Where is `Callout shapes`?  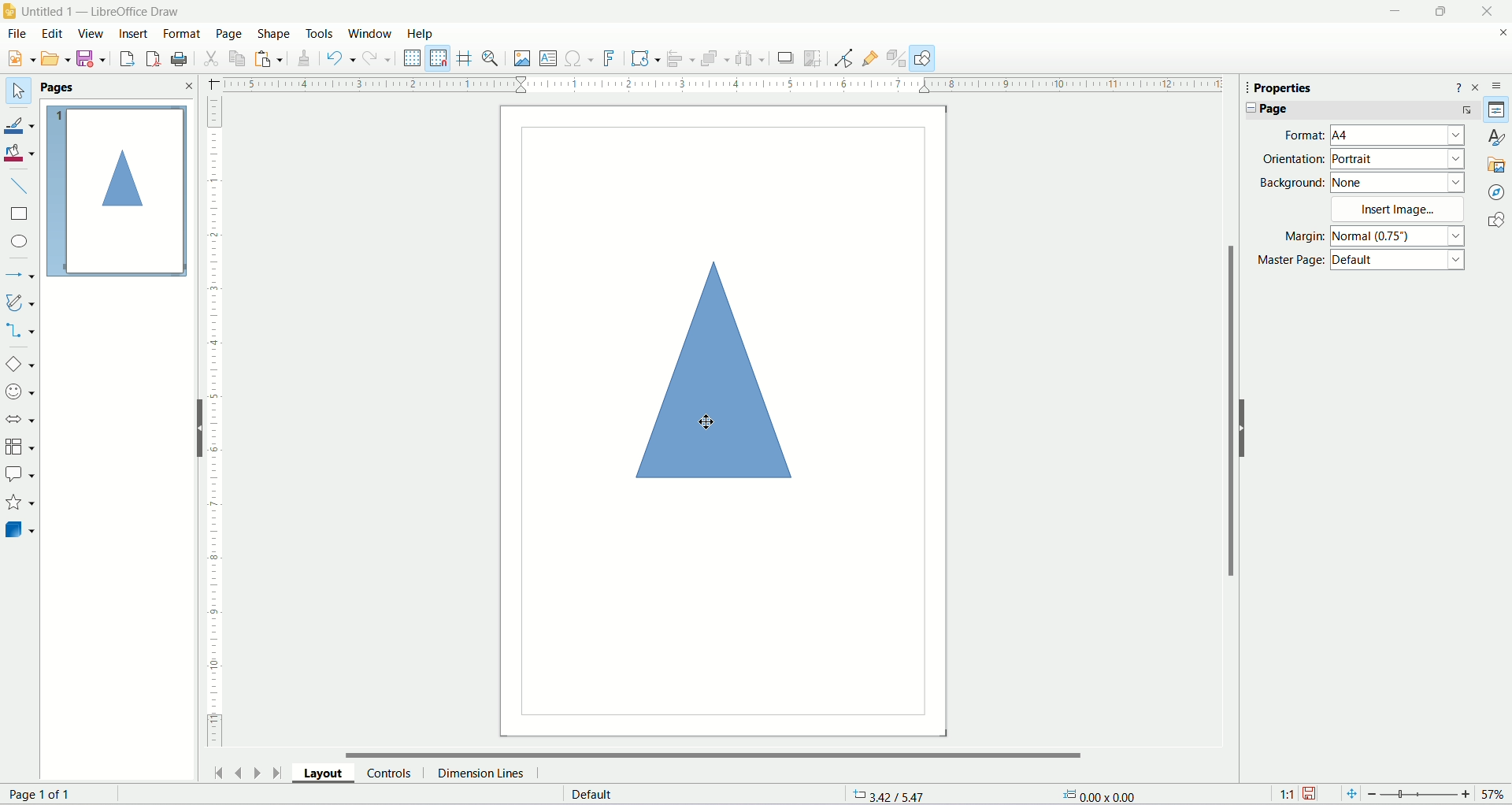 Callout shapes is located at coordinates (22, 474).